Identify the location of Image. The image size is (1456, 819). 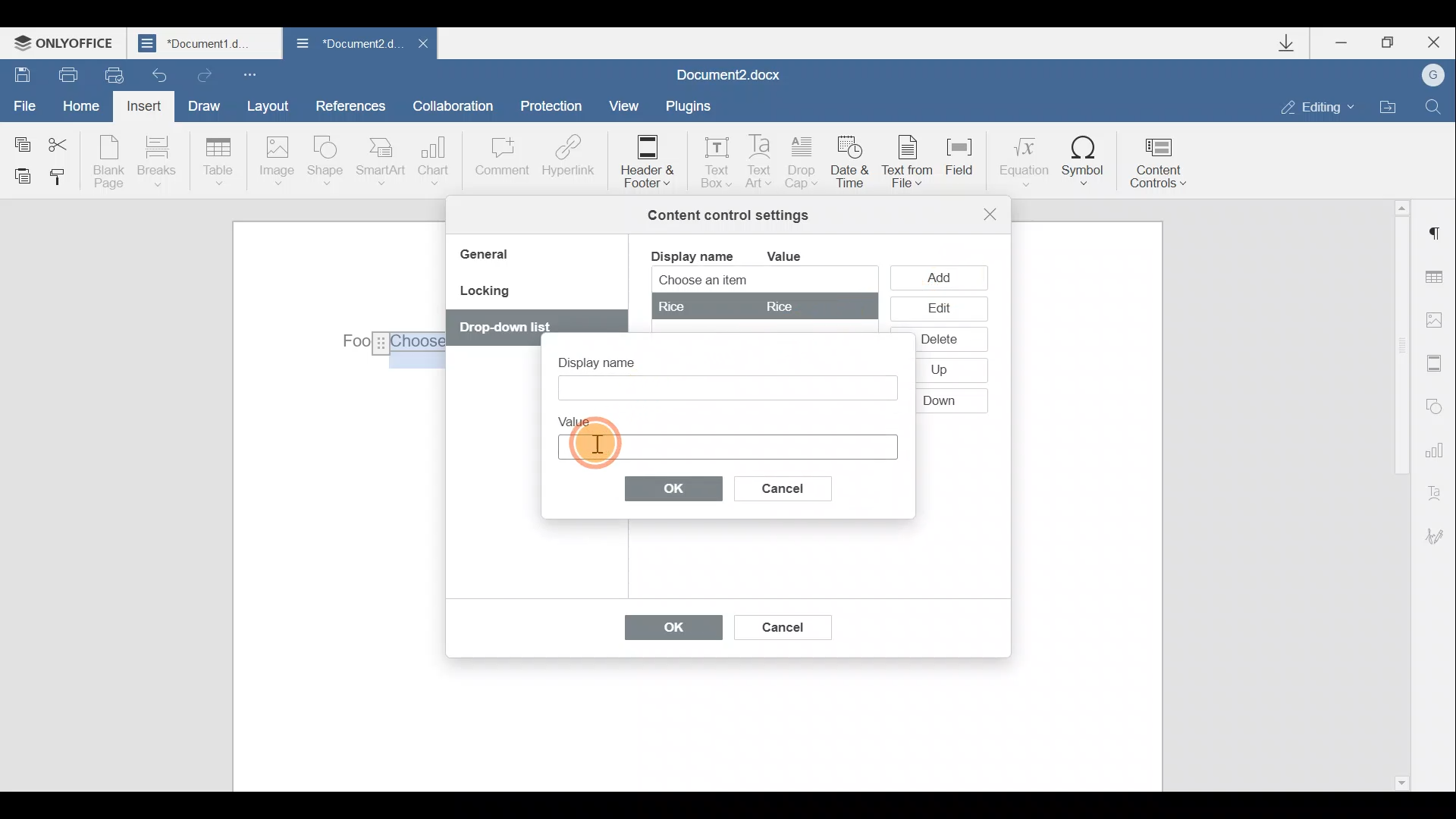
(276, 162).